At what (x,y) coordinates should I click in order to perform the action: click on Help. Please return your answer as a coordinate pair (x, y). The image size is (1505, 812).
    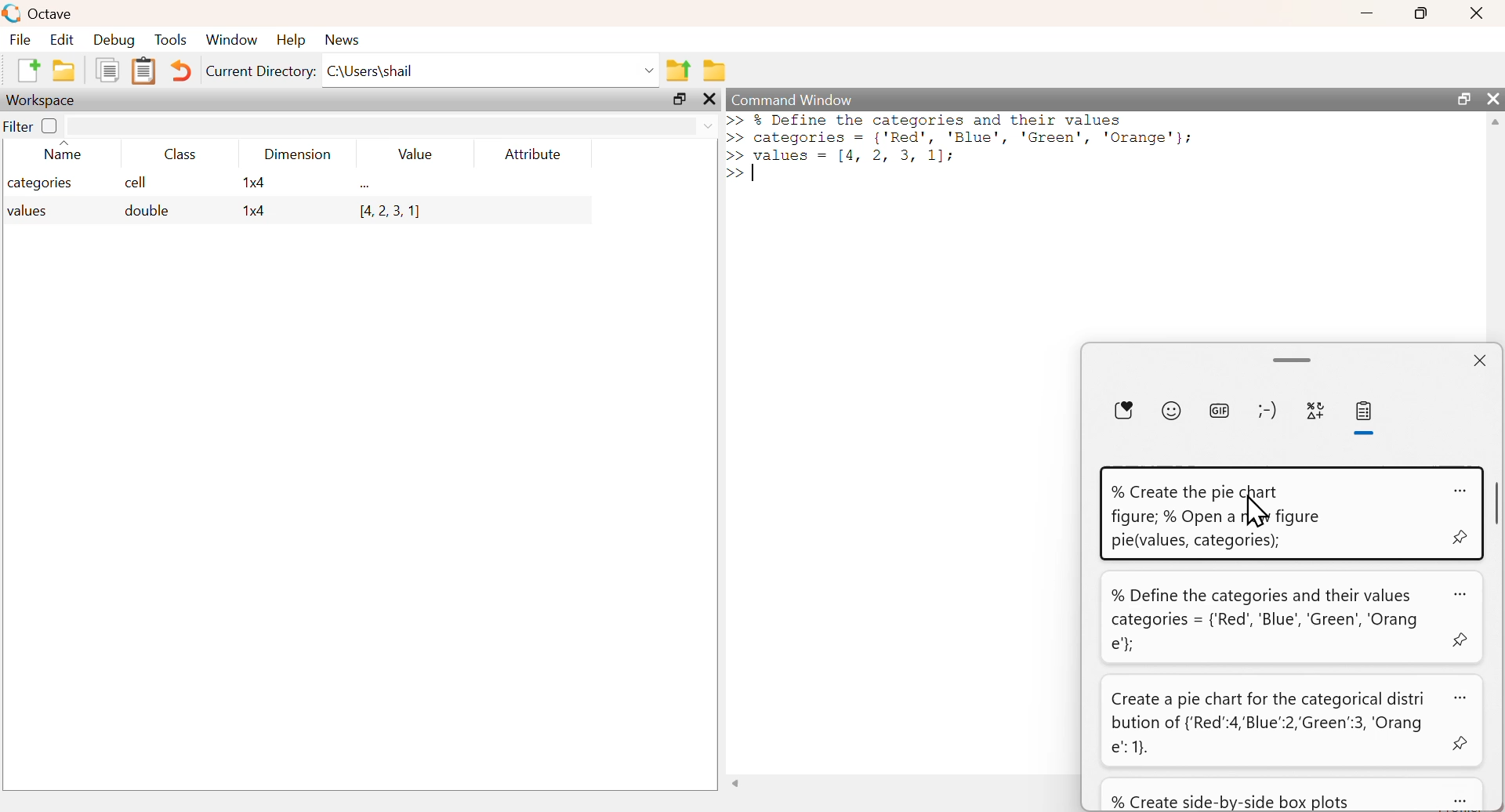
    Looking at the image, I should click on (292, 40).